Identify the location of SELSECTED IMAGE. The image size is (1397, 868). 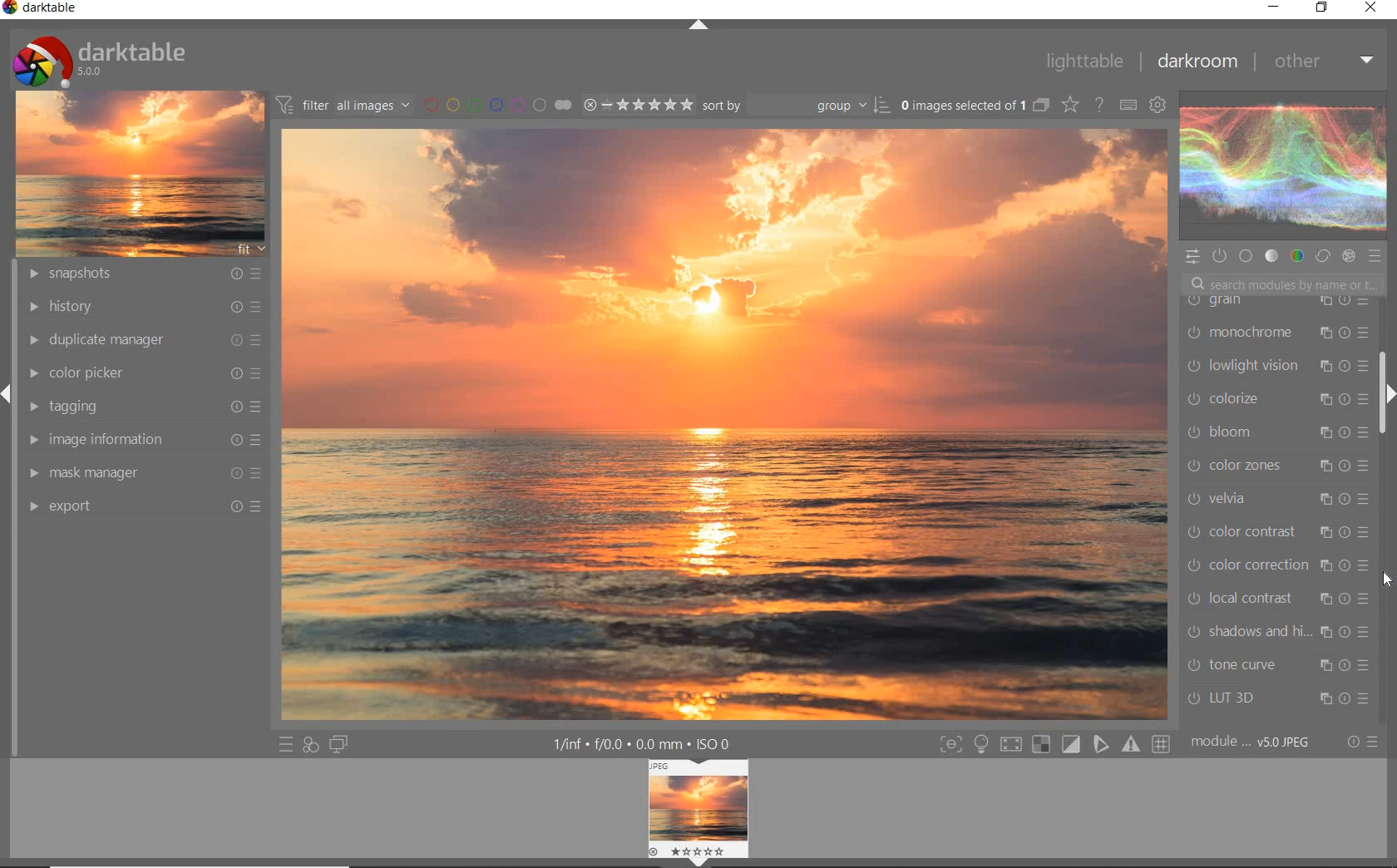
(960, 105).